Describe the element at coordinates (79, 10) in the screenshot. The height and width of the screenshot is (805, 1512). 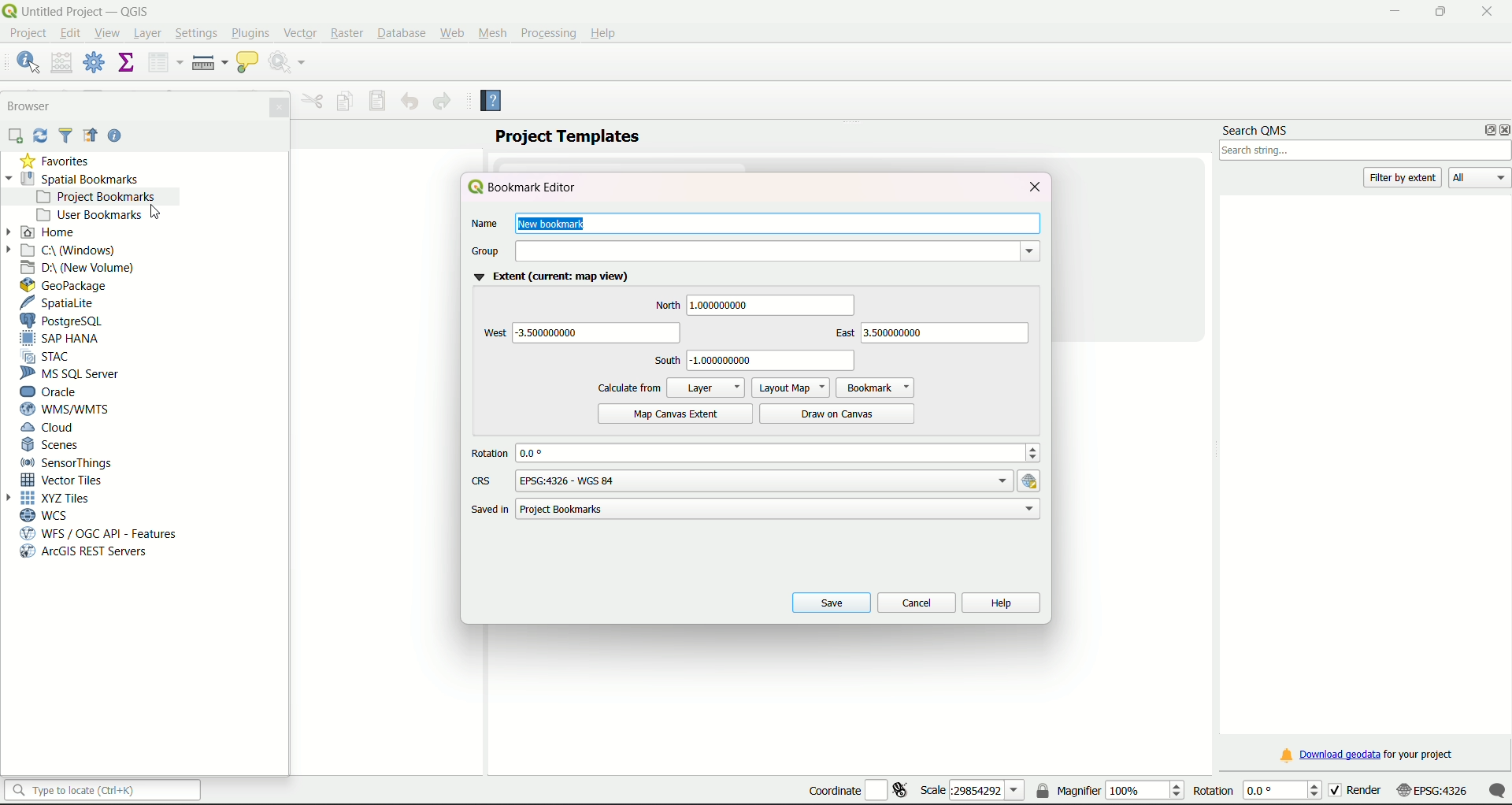
I see `title and logo` at that location.